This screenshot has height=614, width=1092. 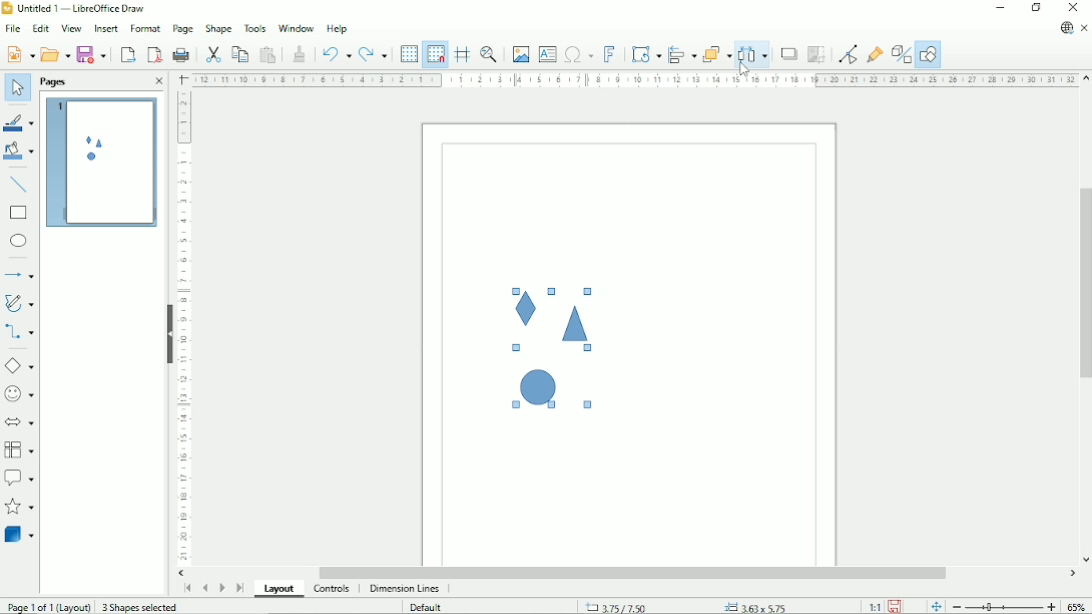 I want to click on Help, so click(x=337, y=29).